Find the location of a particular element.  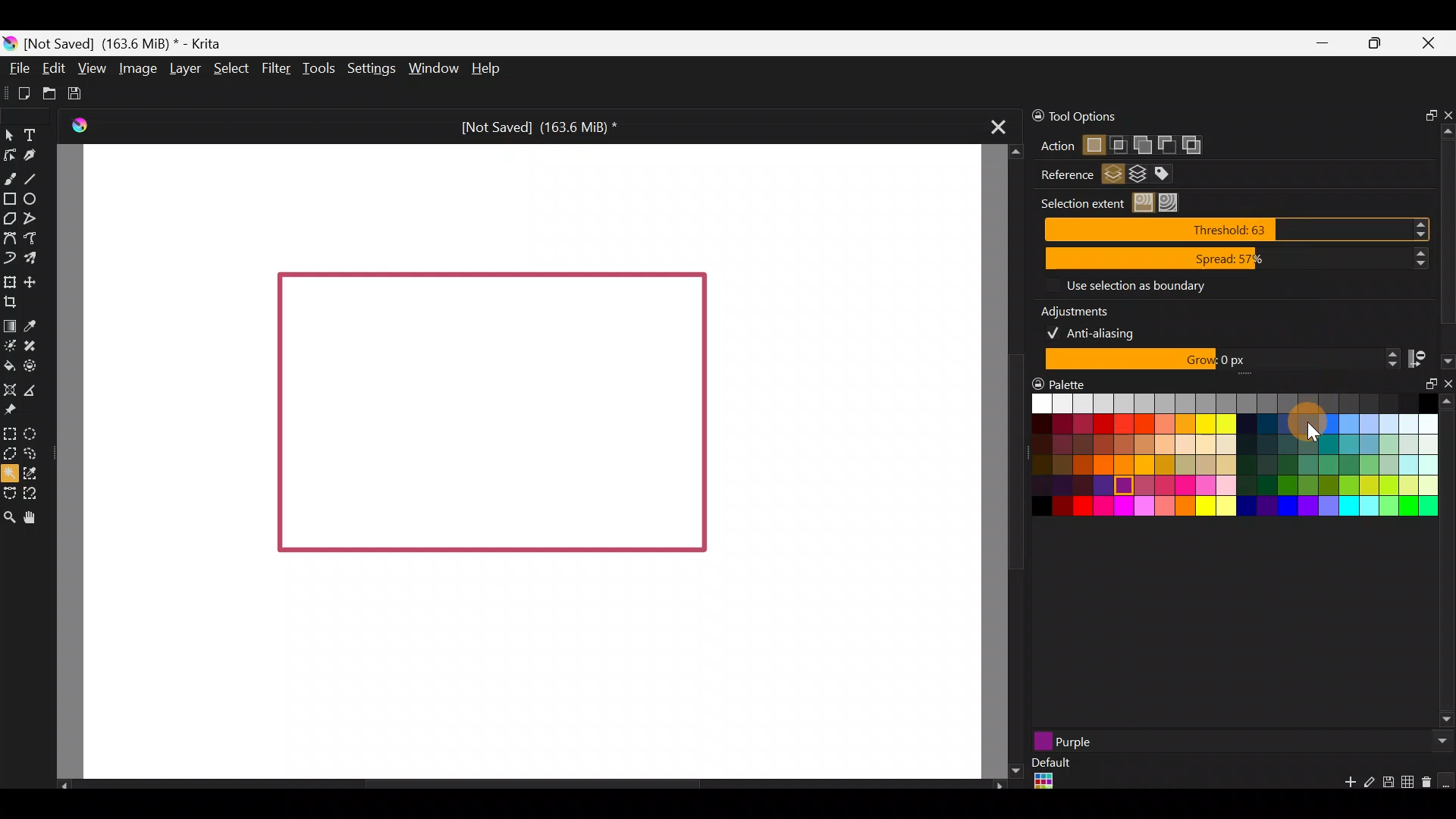

Adjustments is located at coordinates (1084, 309).